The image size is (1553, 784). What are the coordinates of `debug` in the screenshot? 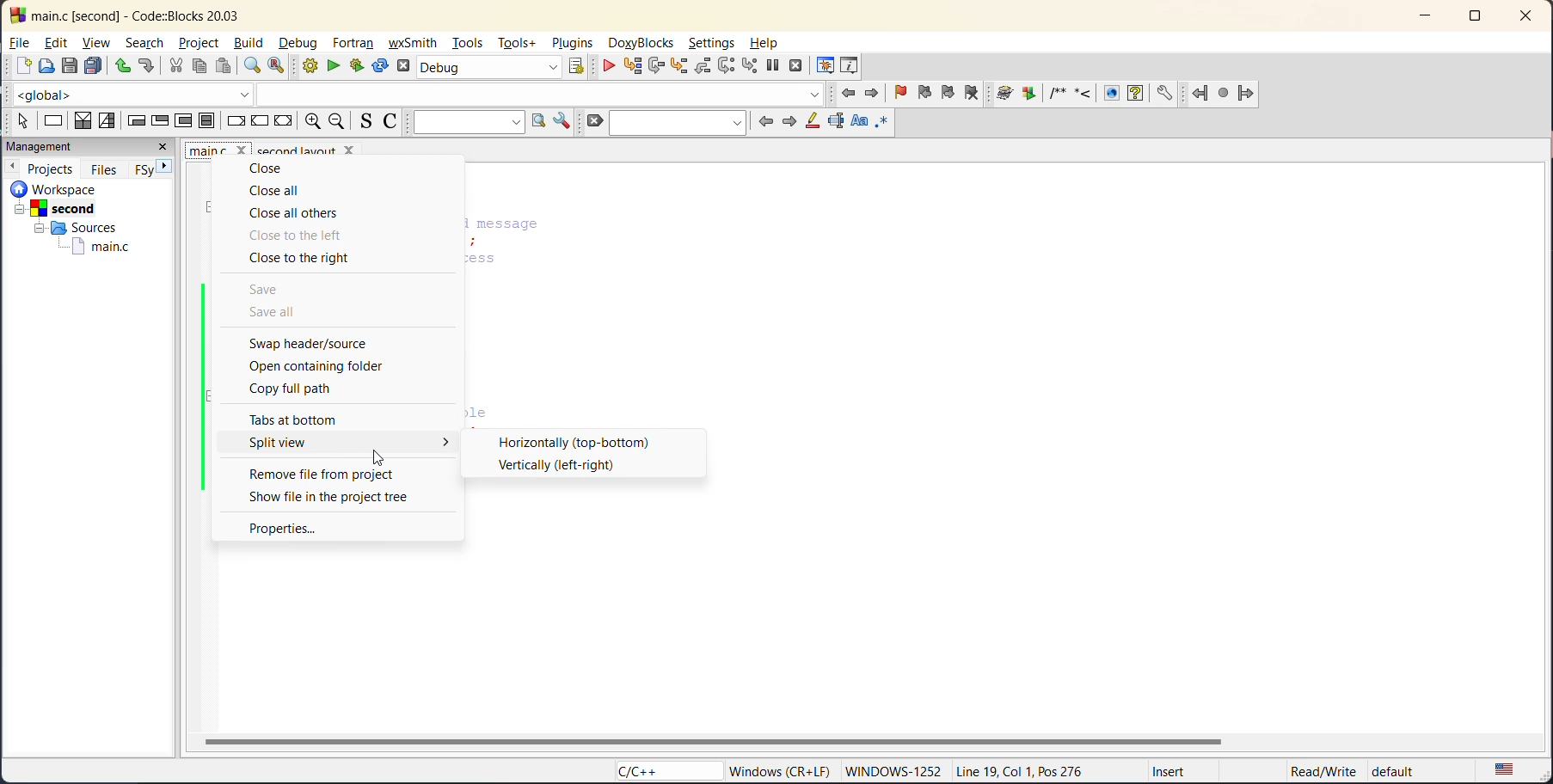 It's located at (611, 67).